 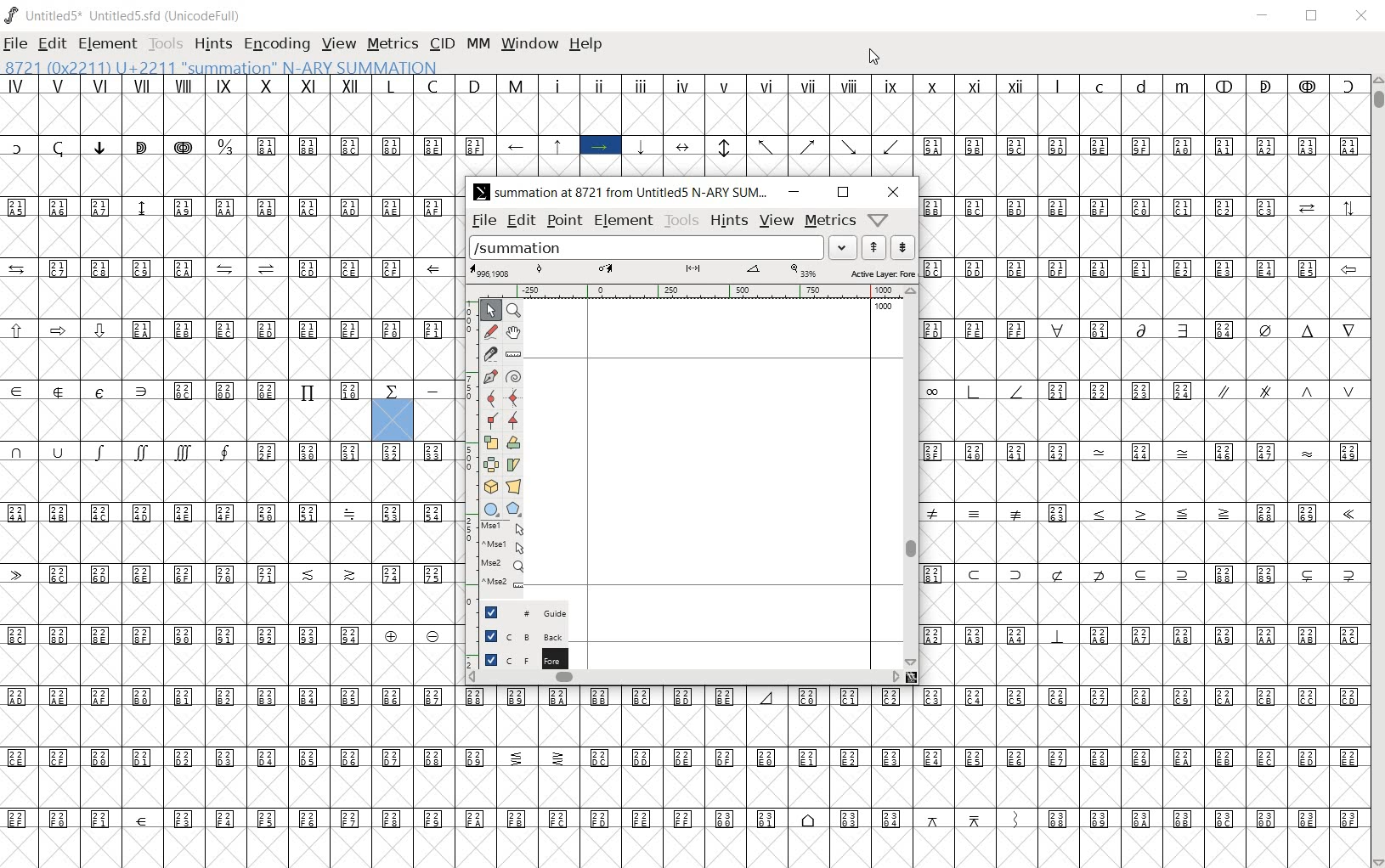 What do you see at coordinates (127, 15) in the screenshot?
I see `Untitled5* Untitled5.sfd (UnicodeFull)` at bounding box center [127, 15].